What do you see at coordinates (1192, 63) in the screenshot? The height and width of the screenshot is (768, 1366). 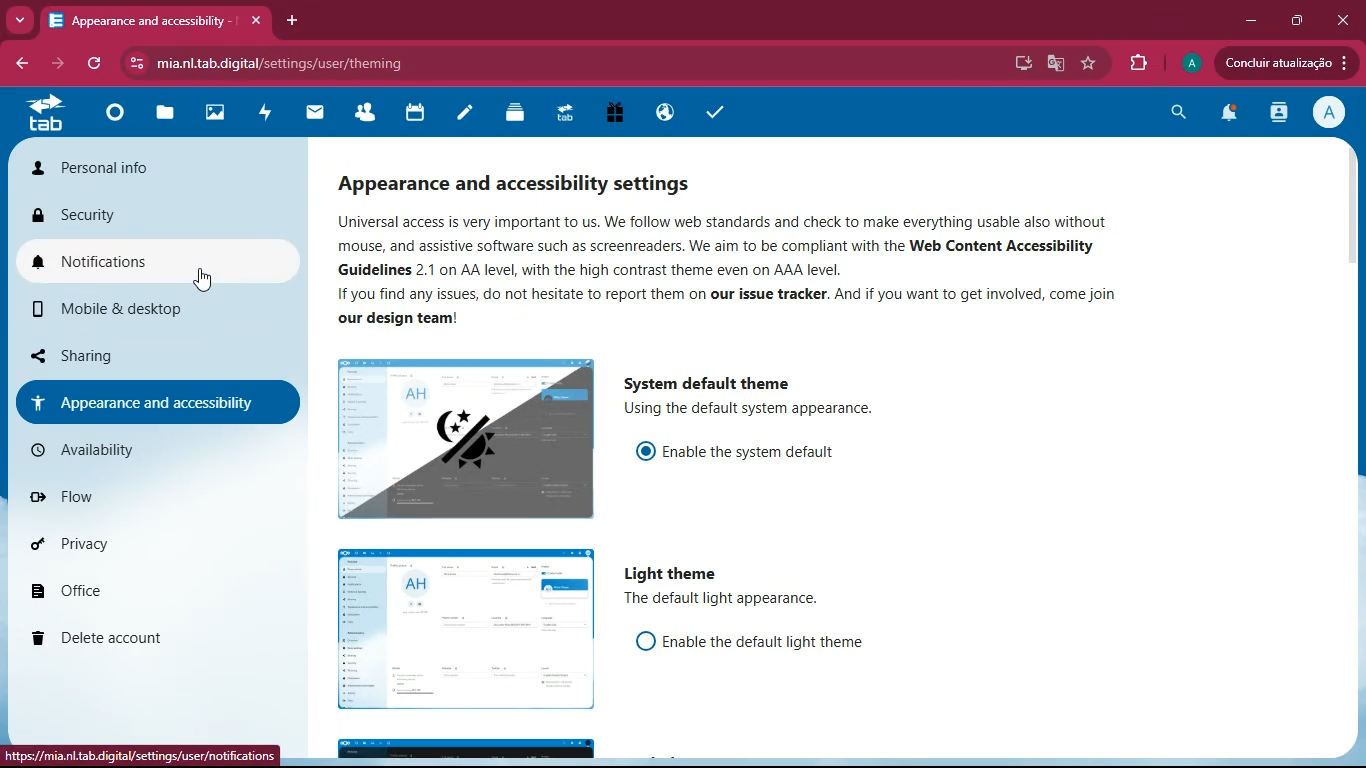 I see `profile` at bounding box center [1192, 63].